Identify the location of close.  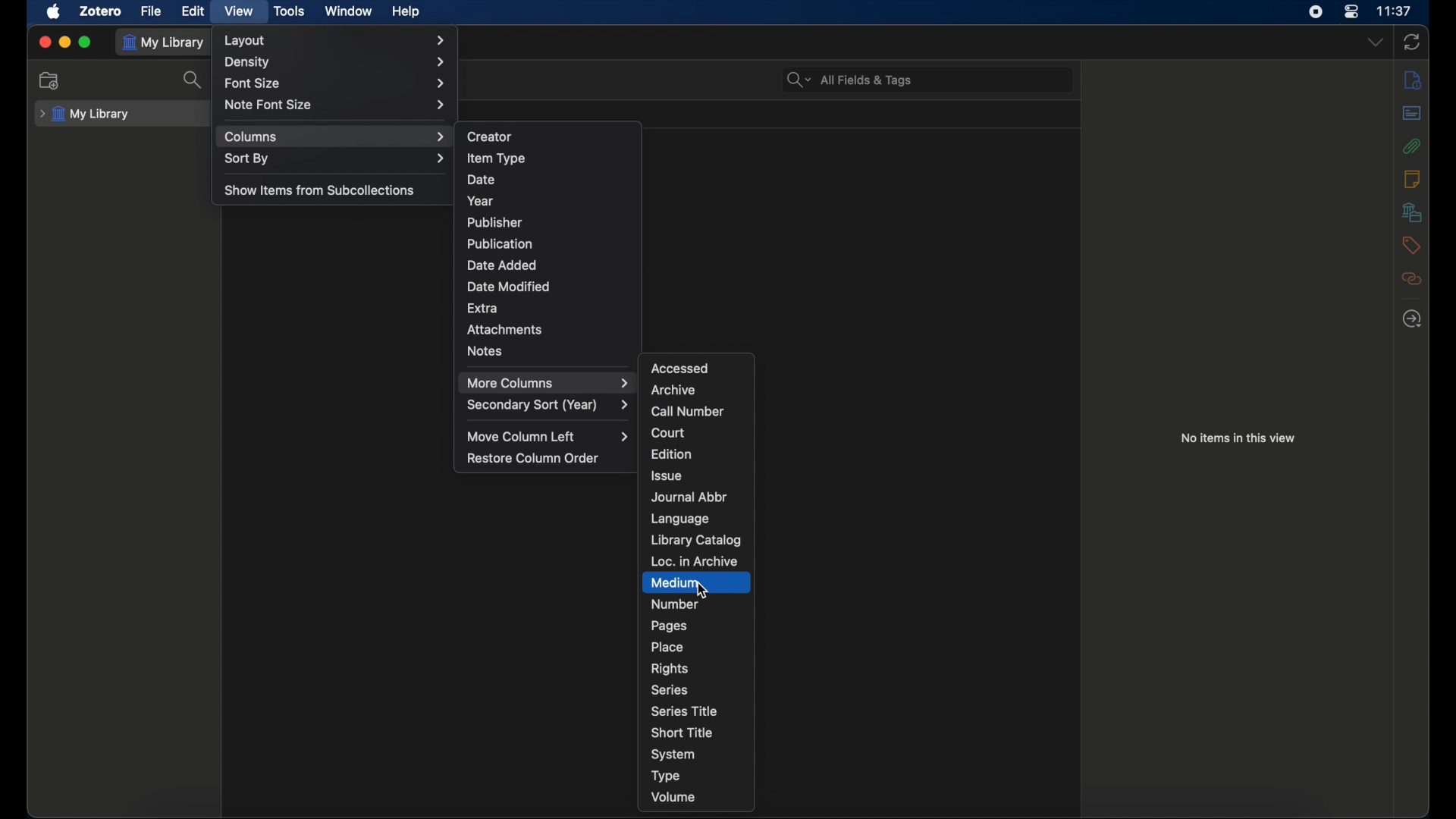
(44, 42).